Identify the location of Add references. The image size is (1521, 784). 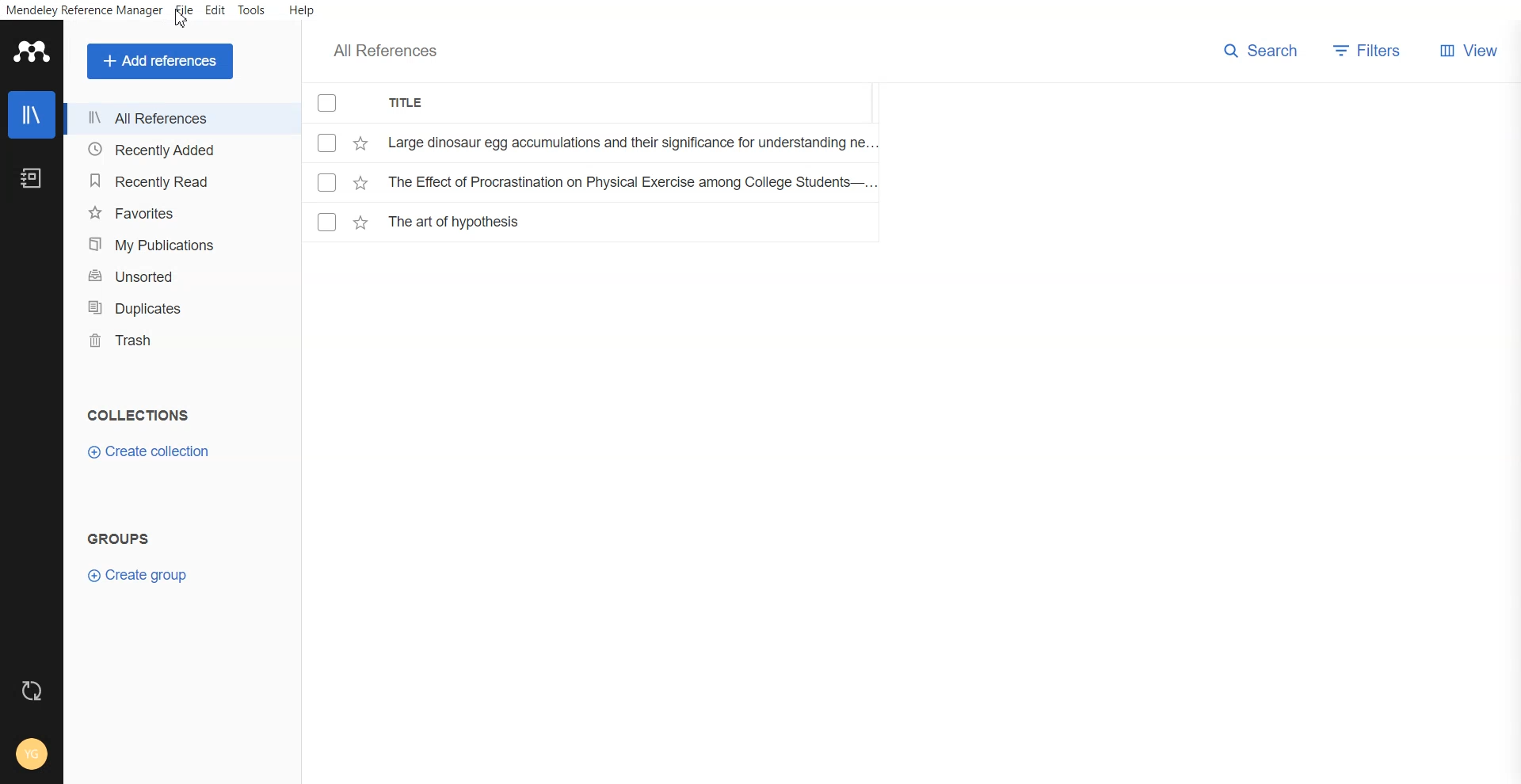
(161, 61).